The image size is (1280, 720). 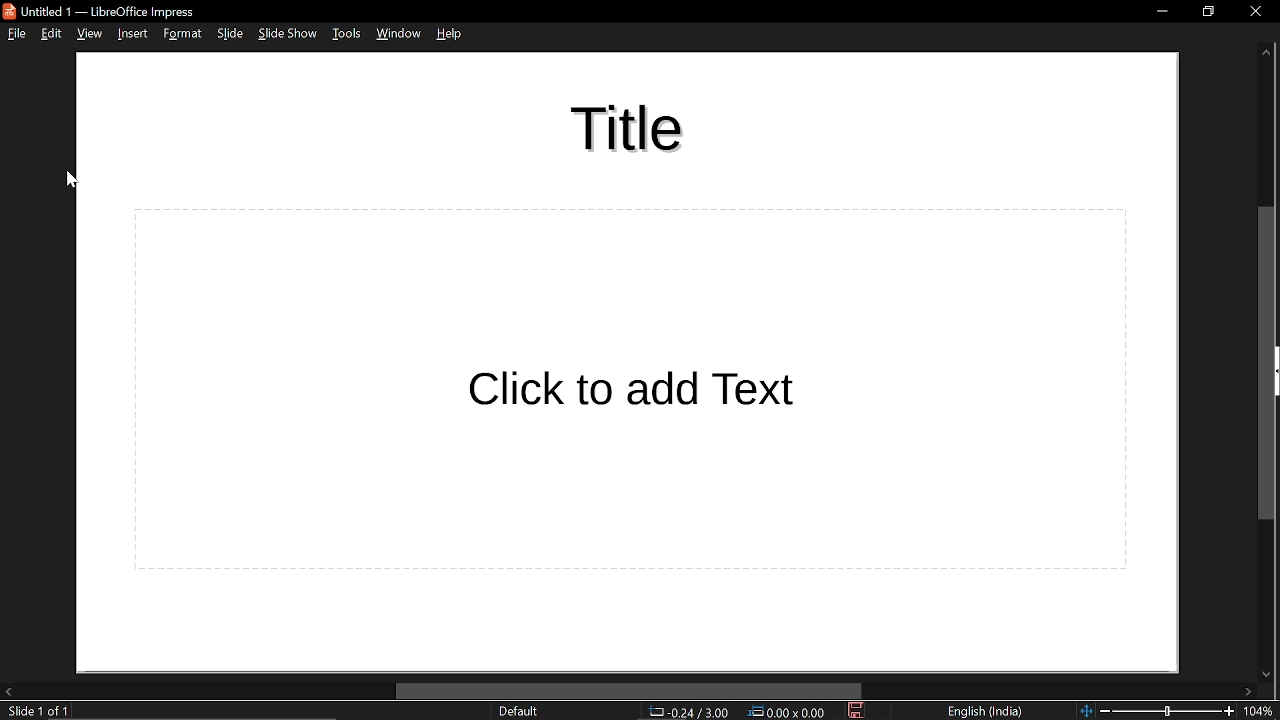 What do you see at coordinates (1105, 710) in the screenshot?
I see `zoom out` at bounding box center [1105, 710].